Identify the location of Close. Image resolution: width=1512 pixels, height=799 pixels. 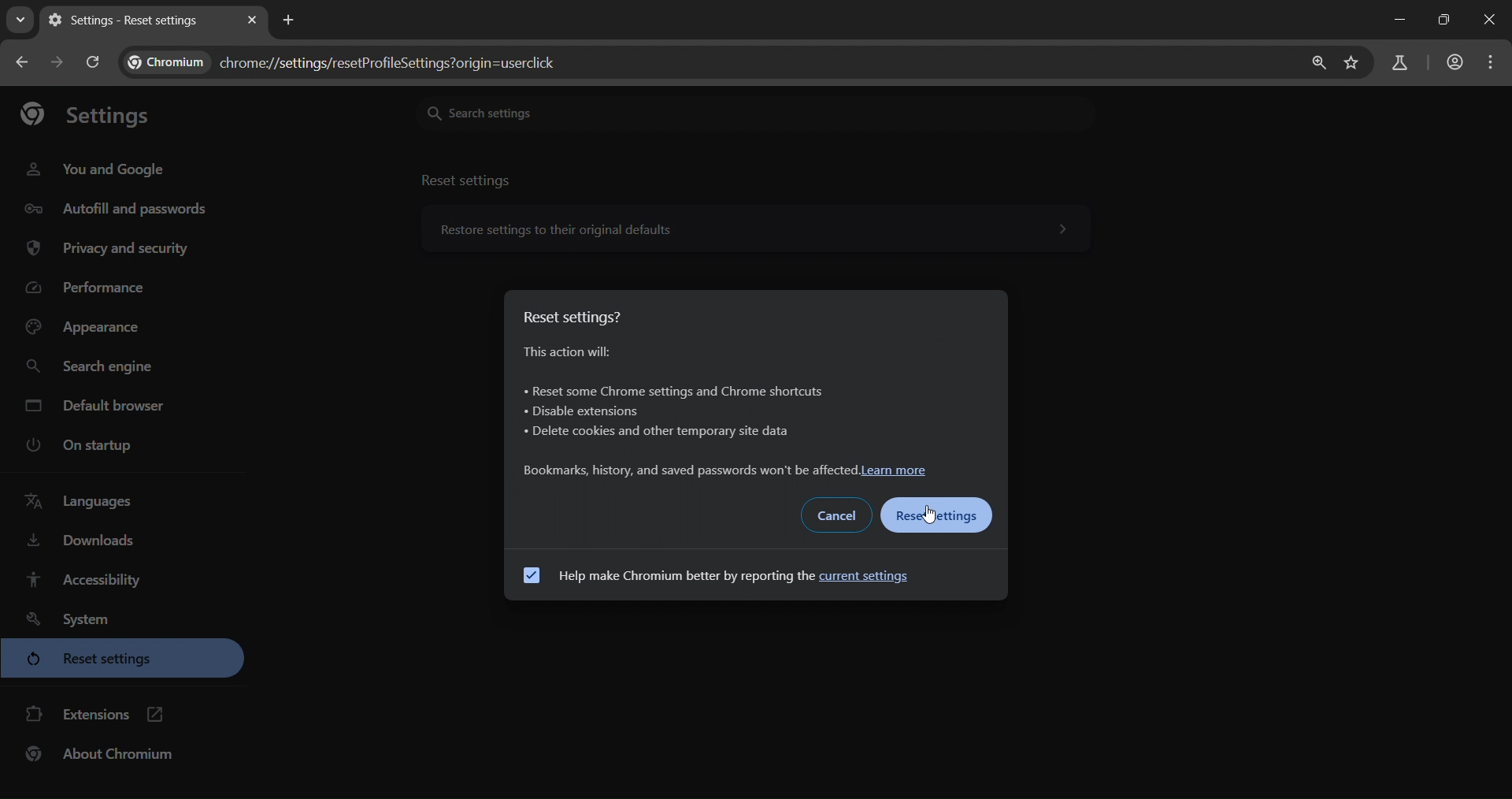
(1492, 18).